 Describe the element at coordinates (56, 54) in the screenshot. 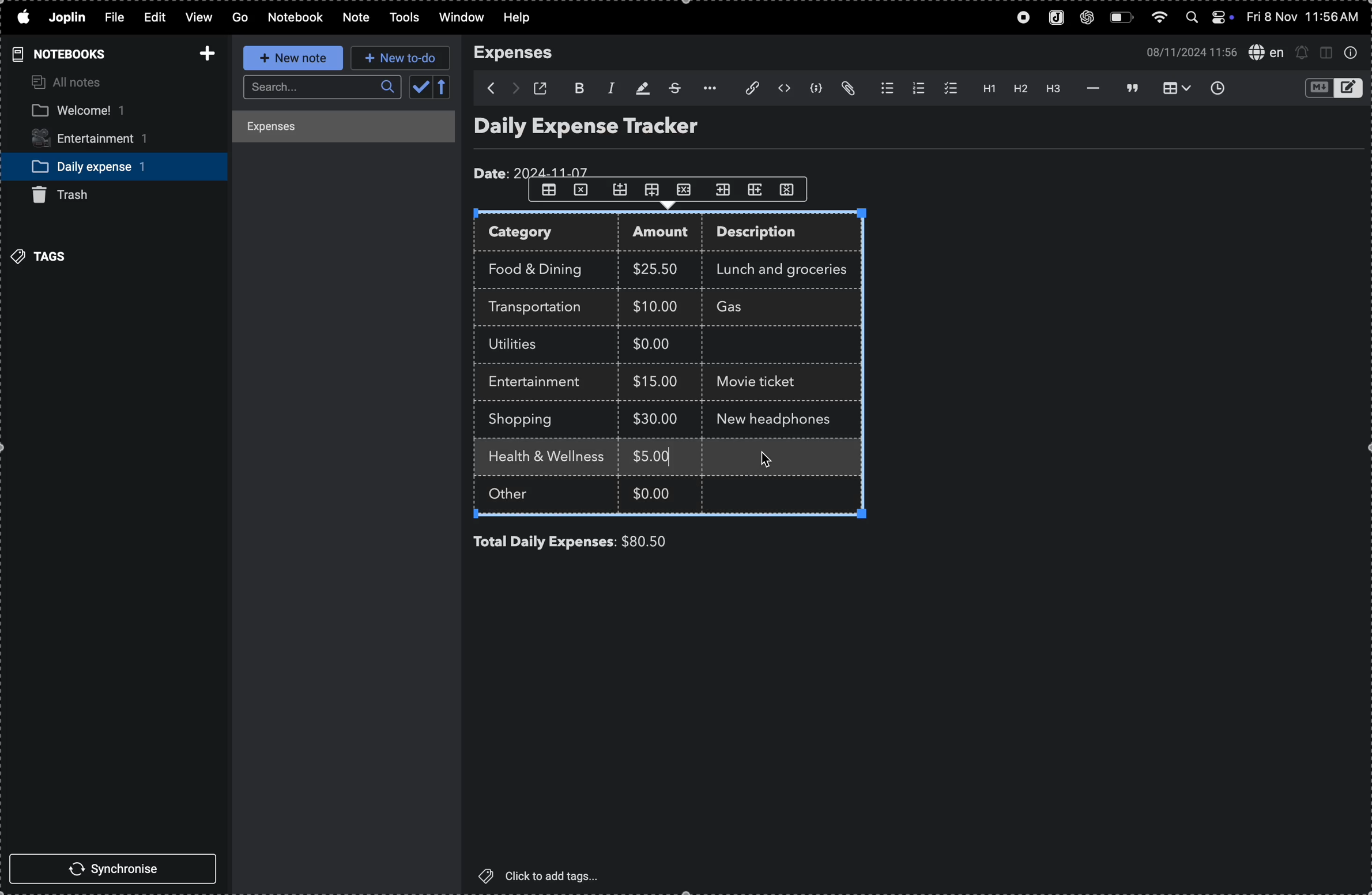

I see `notebooks` at that location.